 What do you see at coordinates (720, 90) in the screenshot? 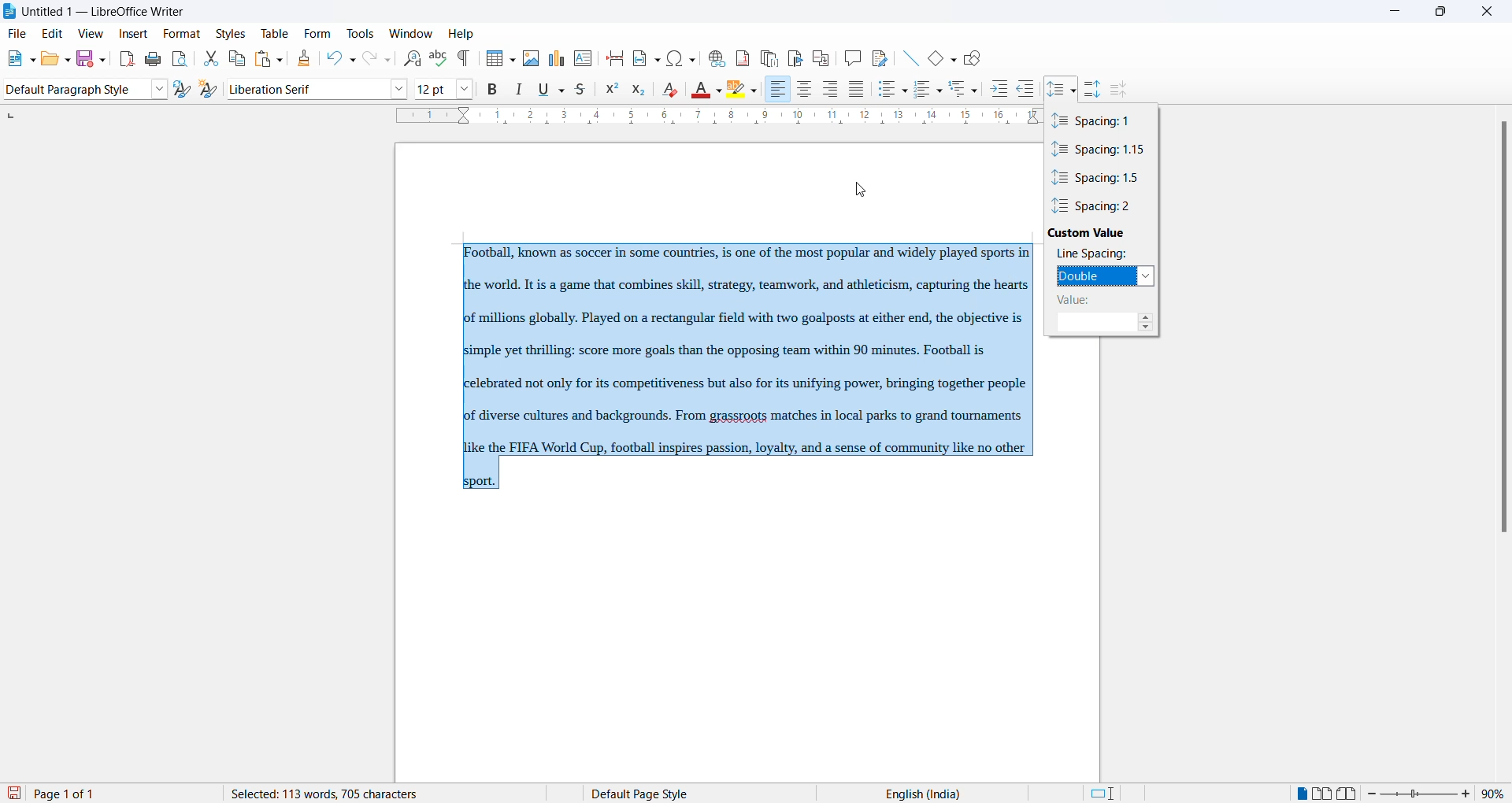
I see `font color options` at bounding box center [720, 90].